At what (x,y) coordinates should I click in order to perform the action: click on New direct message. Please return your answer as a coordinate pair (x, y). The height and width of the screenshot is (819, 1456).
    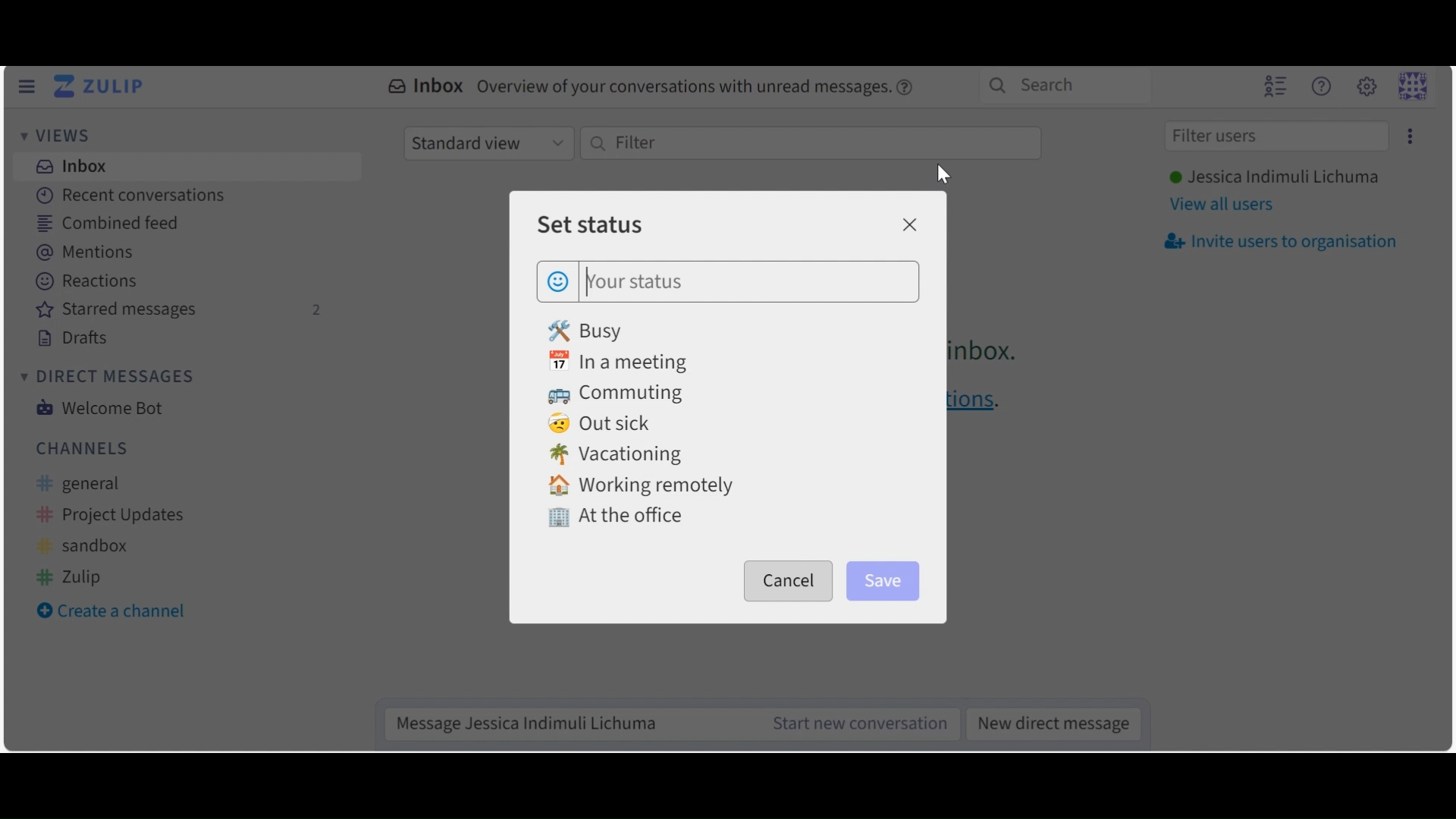
    Looking at the image, I should click on (1049, 722).